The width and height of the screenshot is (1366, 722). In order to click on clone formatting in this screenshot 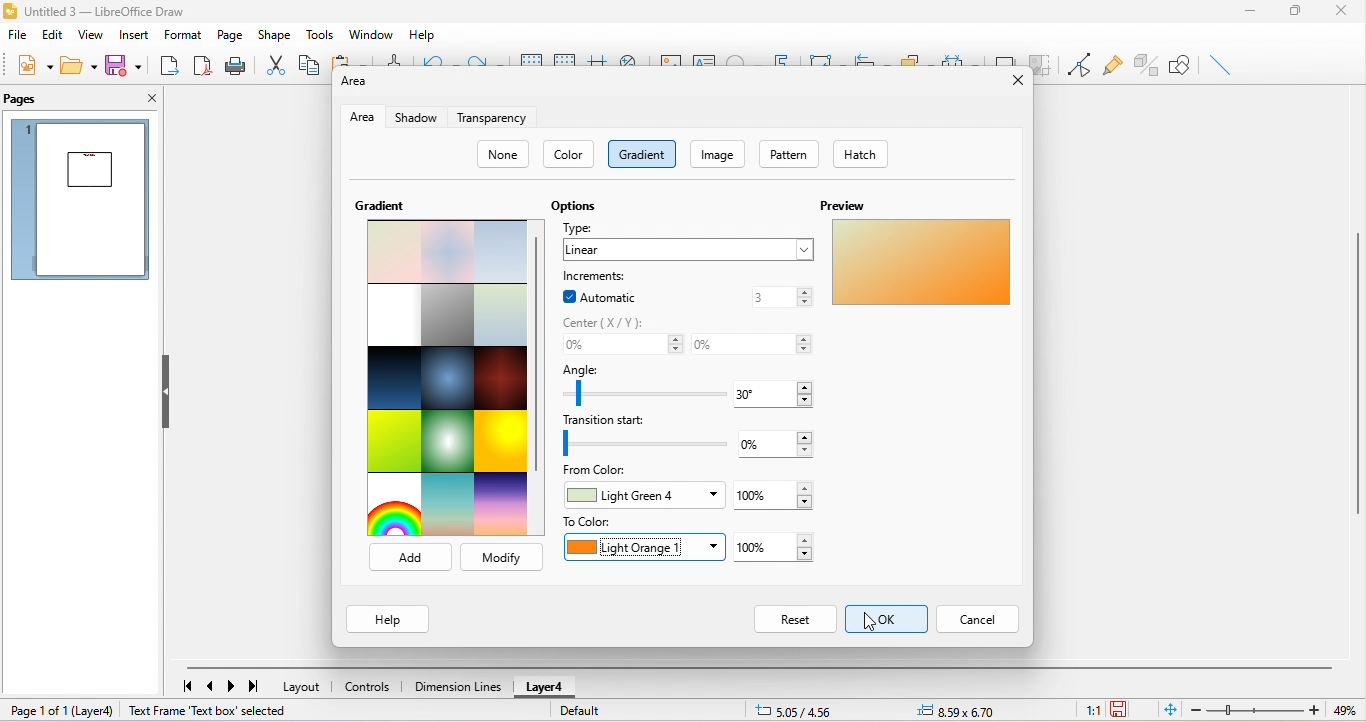, I will do `click(393, 58)`.